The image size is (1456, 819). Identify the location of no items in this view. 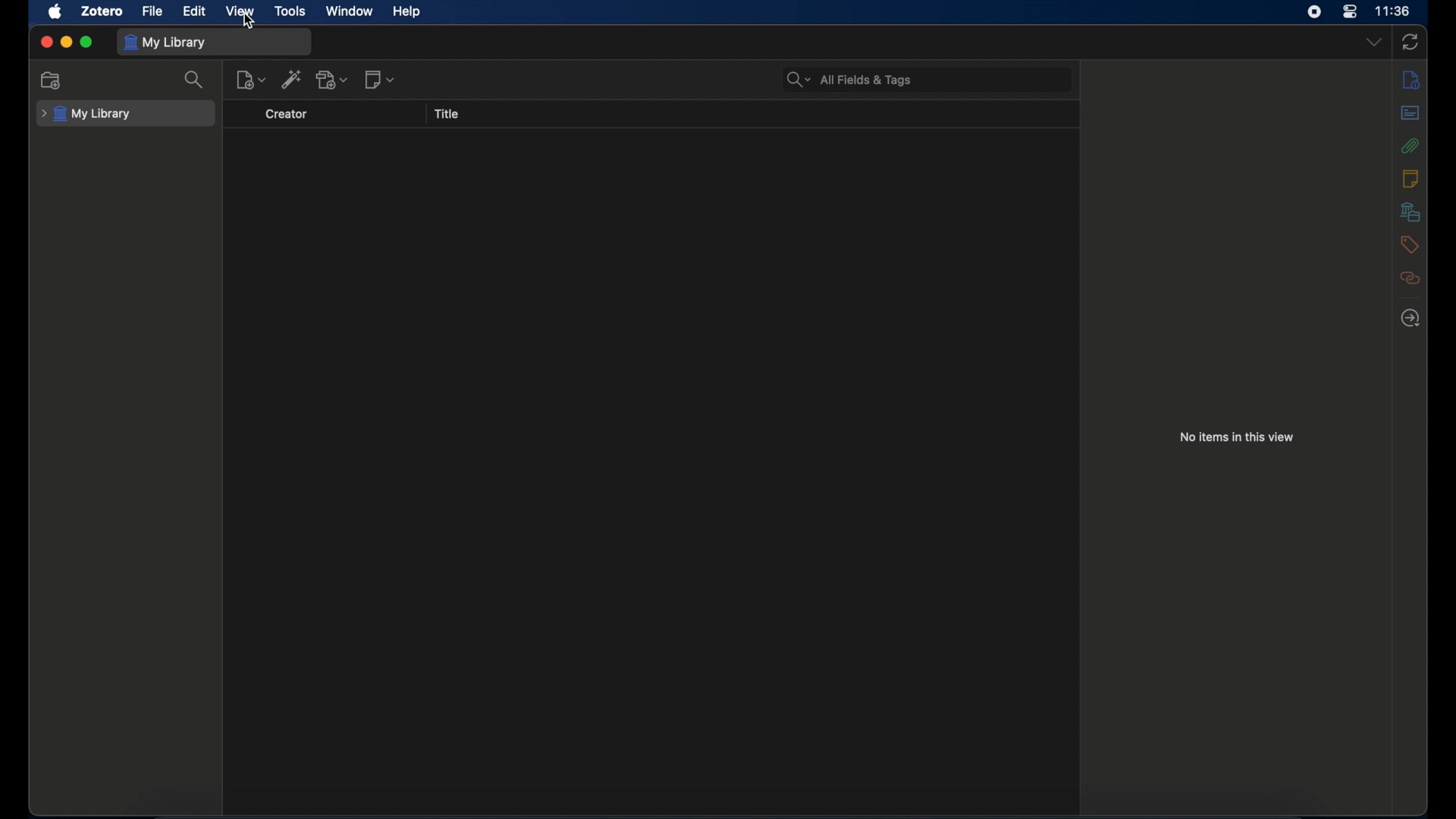
(1238, 437).